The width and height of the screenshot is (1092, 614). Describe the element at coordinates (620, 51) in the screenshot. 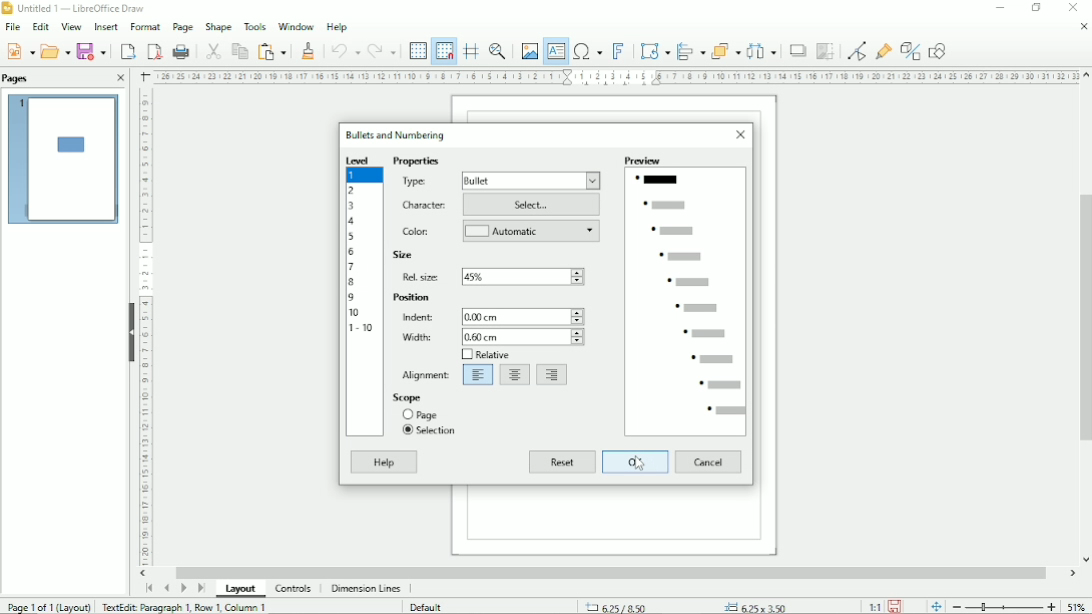

I see `Insert fontwork text` at that location.